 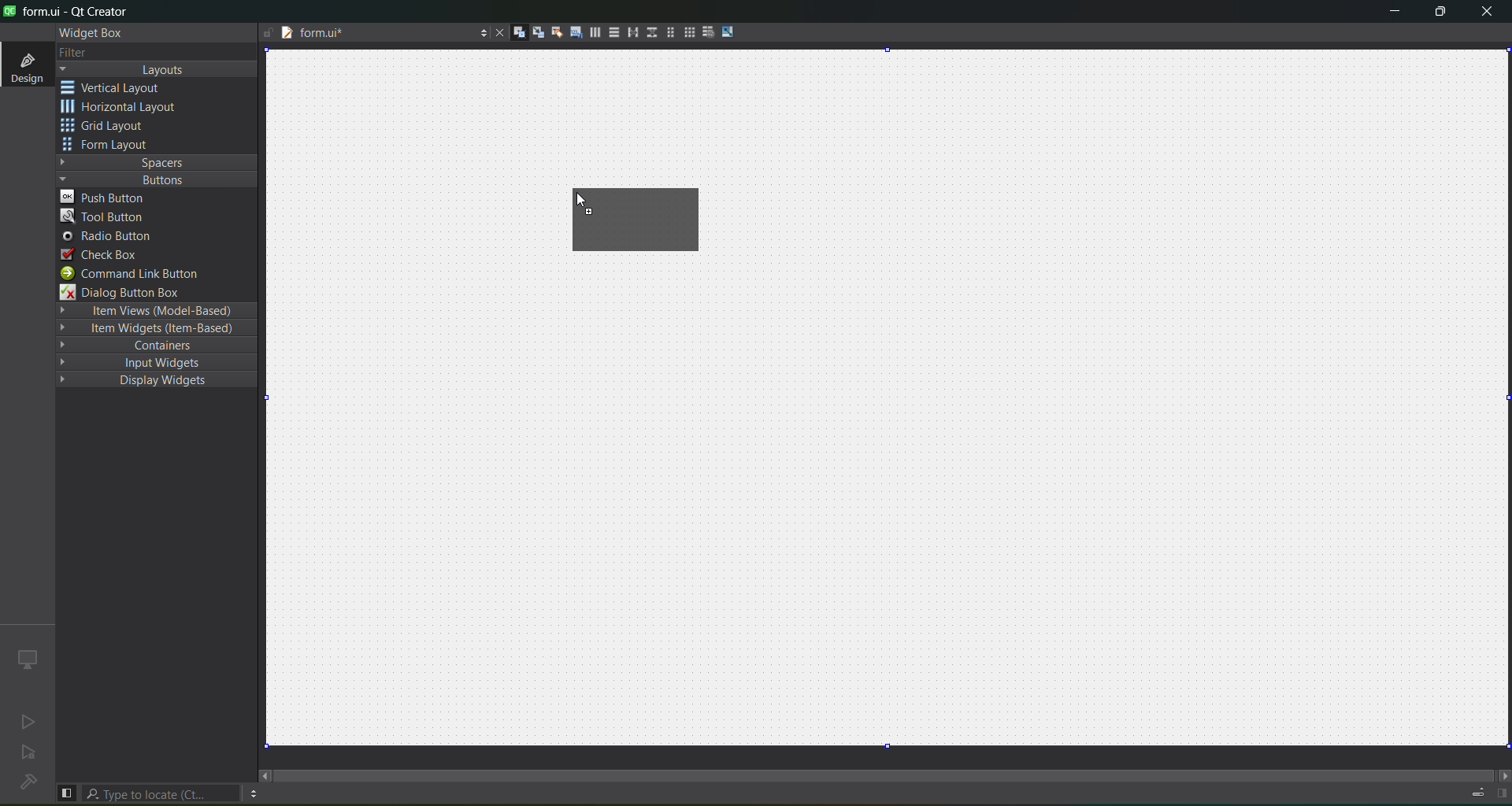 What do you see at coordinates (25, 783) in the screenshot?
I see `no project loading` at bounding box center [25, 783].